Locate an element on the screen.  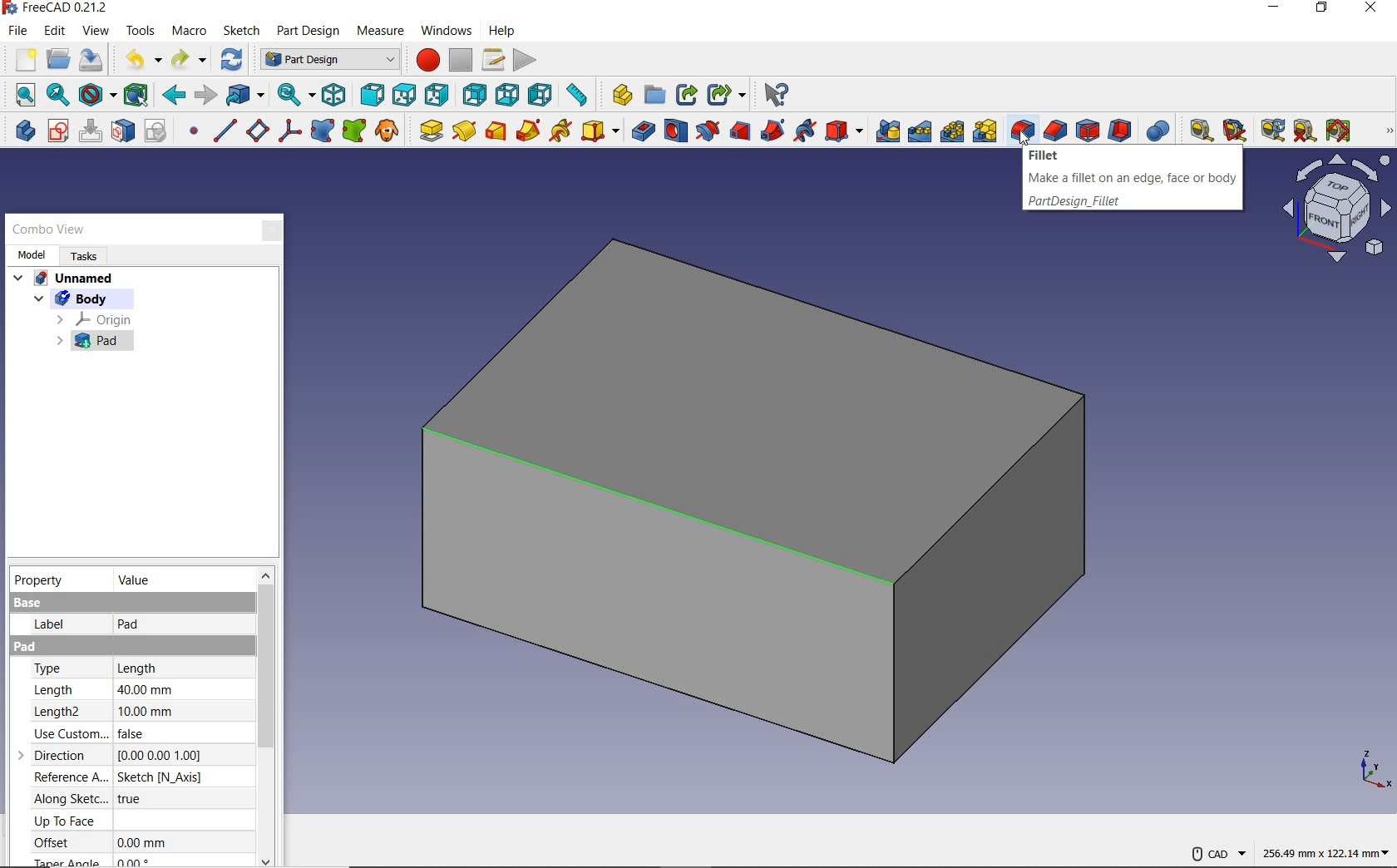
use custom is located at coordinates (63, 735).